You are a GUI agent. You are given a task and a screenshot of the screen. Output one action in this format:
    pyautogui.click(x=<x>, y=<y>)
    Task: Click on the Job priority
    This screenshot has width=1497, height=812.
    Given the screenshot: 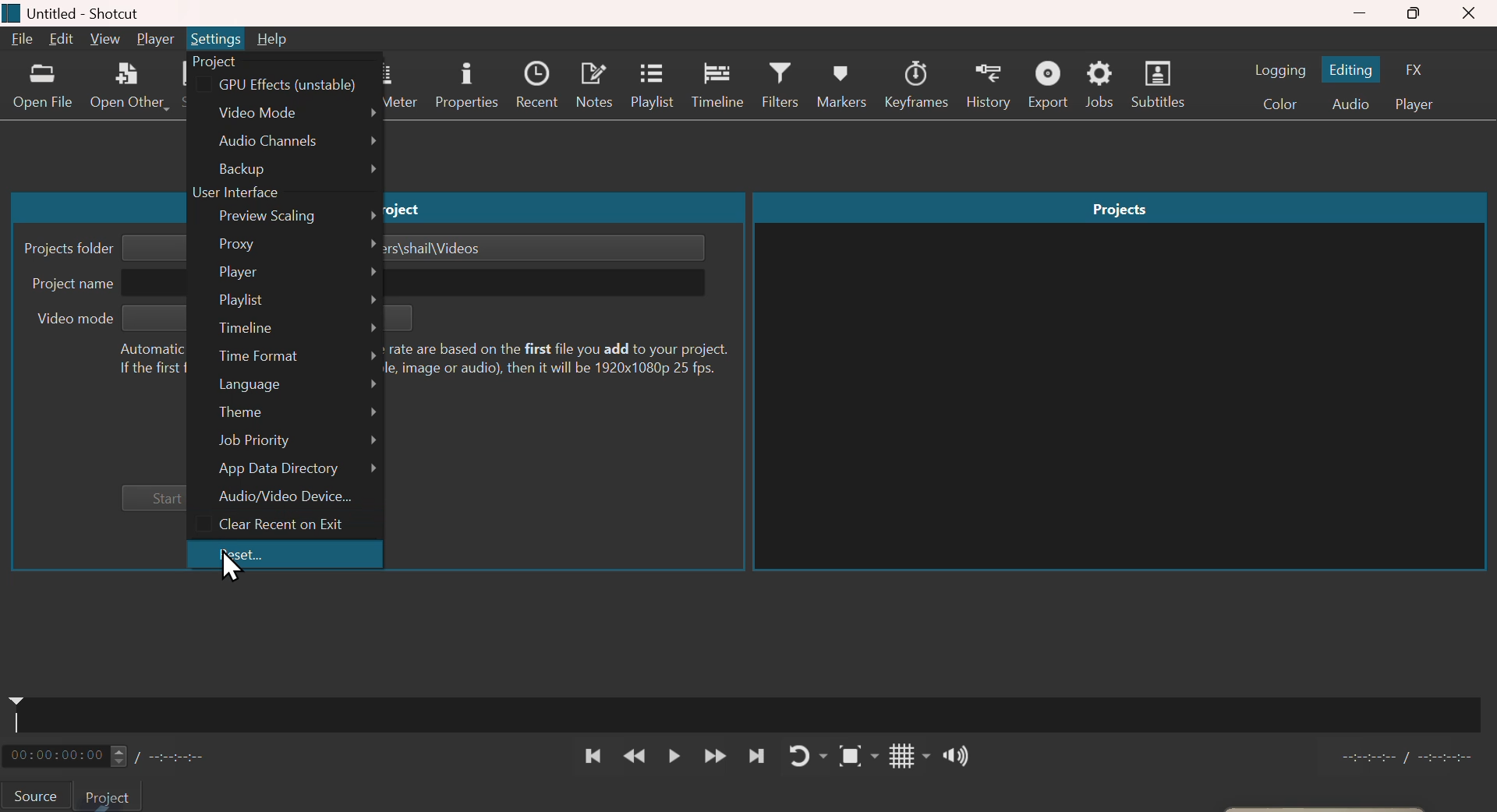 What is the action you would take?
    pyautogui.click(x=285, y=441)
    